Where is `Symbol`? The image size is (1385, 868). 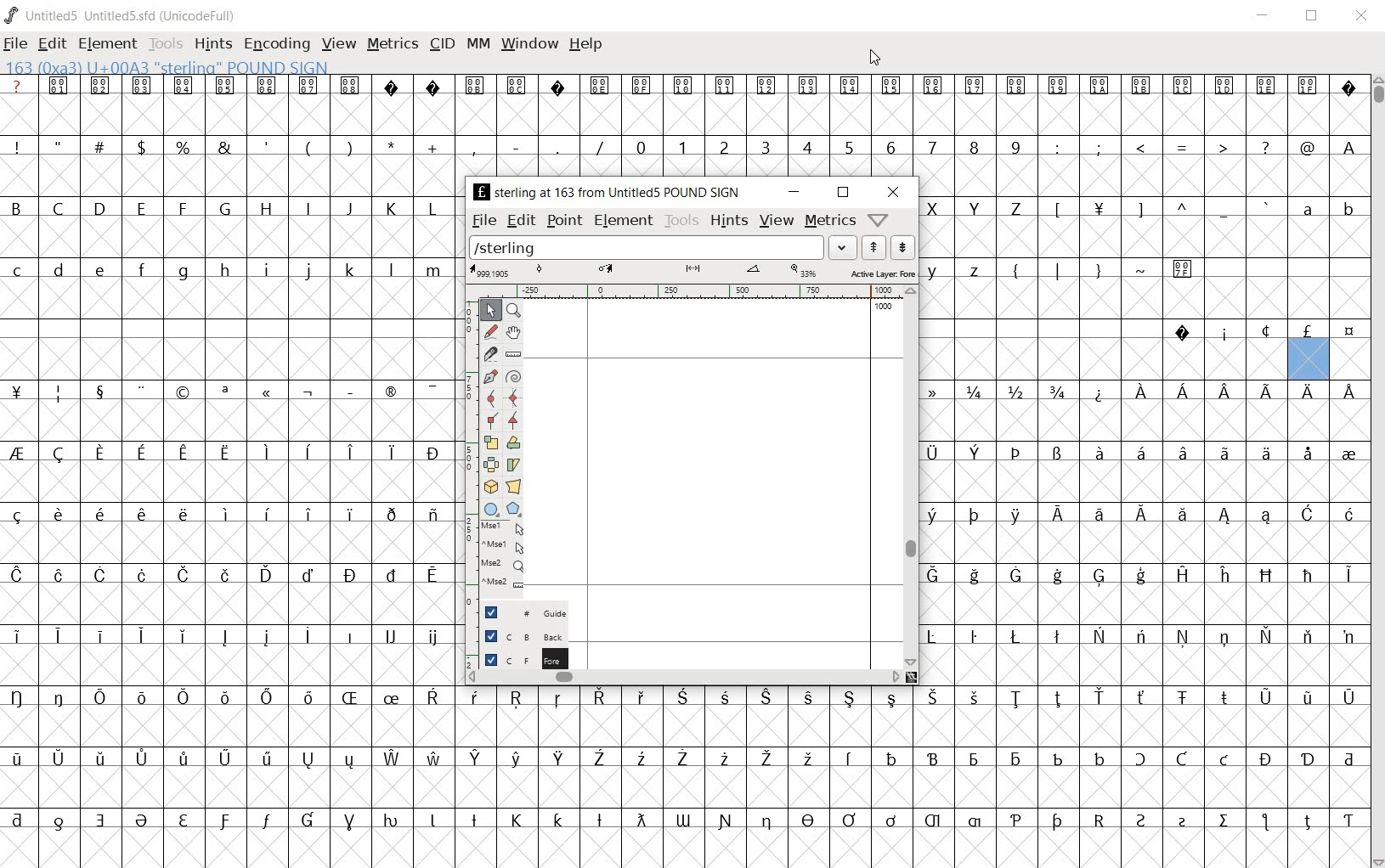 Symbol is located at coordinates (307, 821).